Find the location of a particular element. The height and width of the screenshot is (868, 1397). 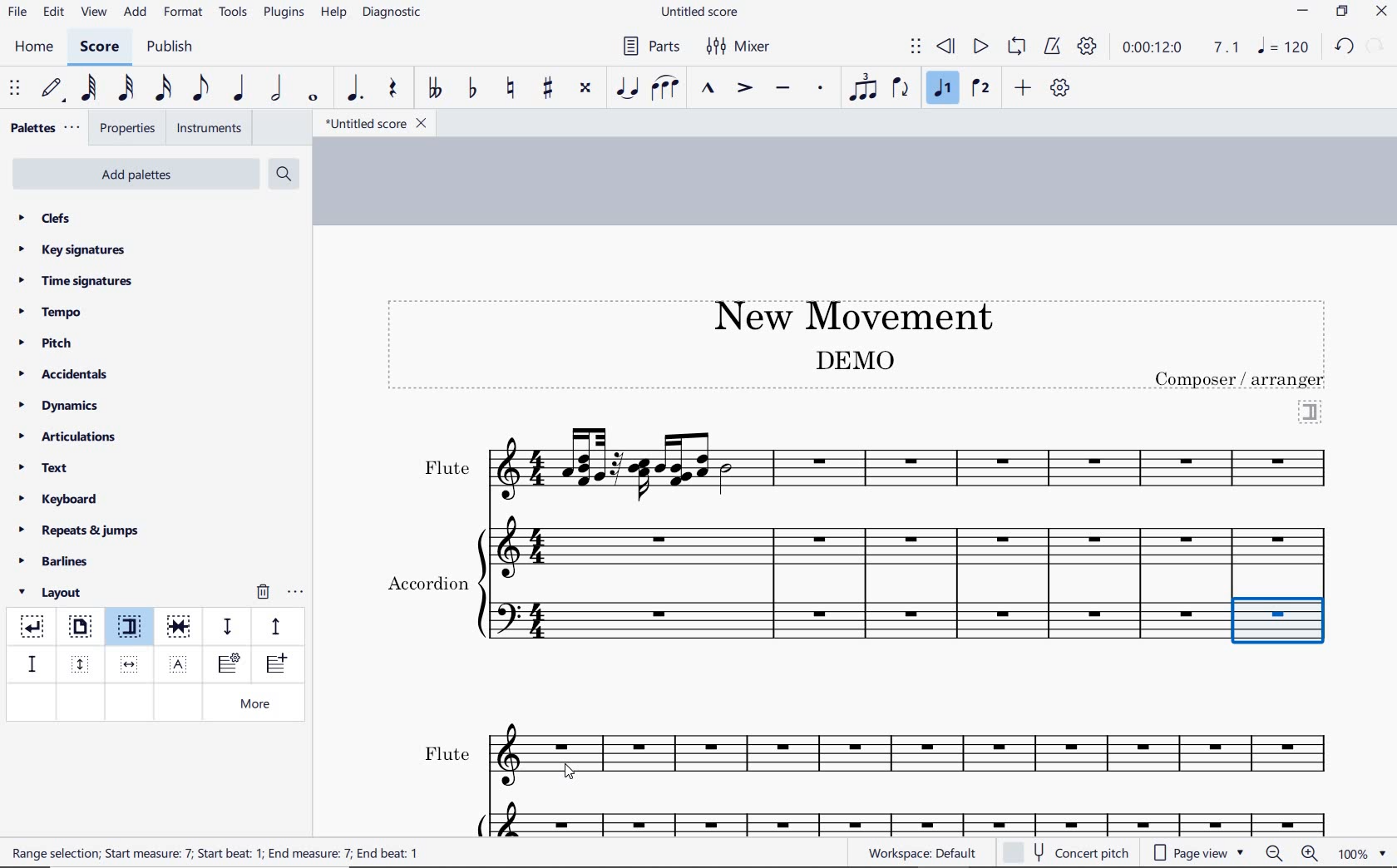

text is located at coordinates (853, 359).